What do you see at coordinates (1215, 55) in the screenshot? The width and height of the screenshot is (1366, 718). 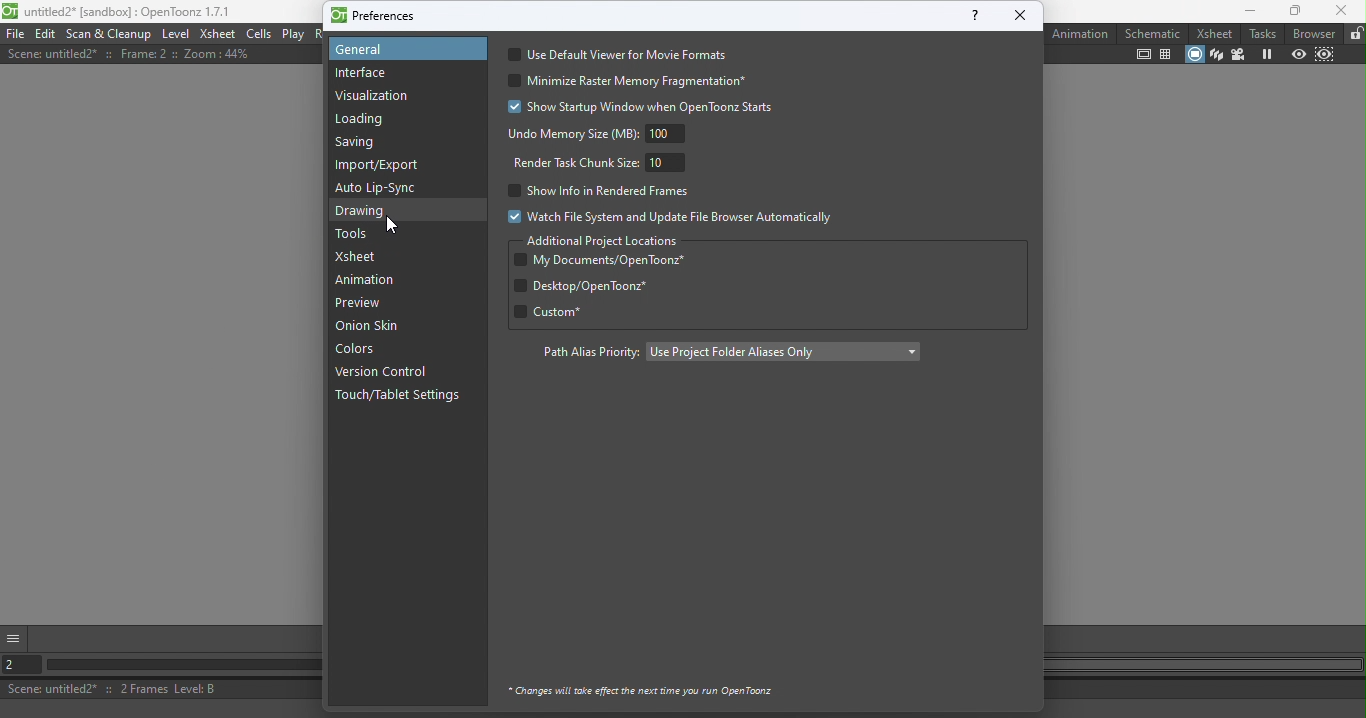 I see `3D View` at bounding box center [1215, 55].